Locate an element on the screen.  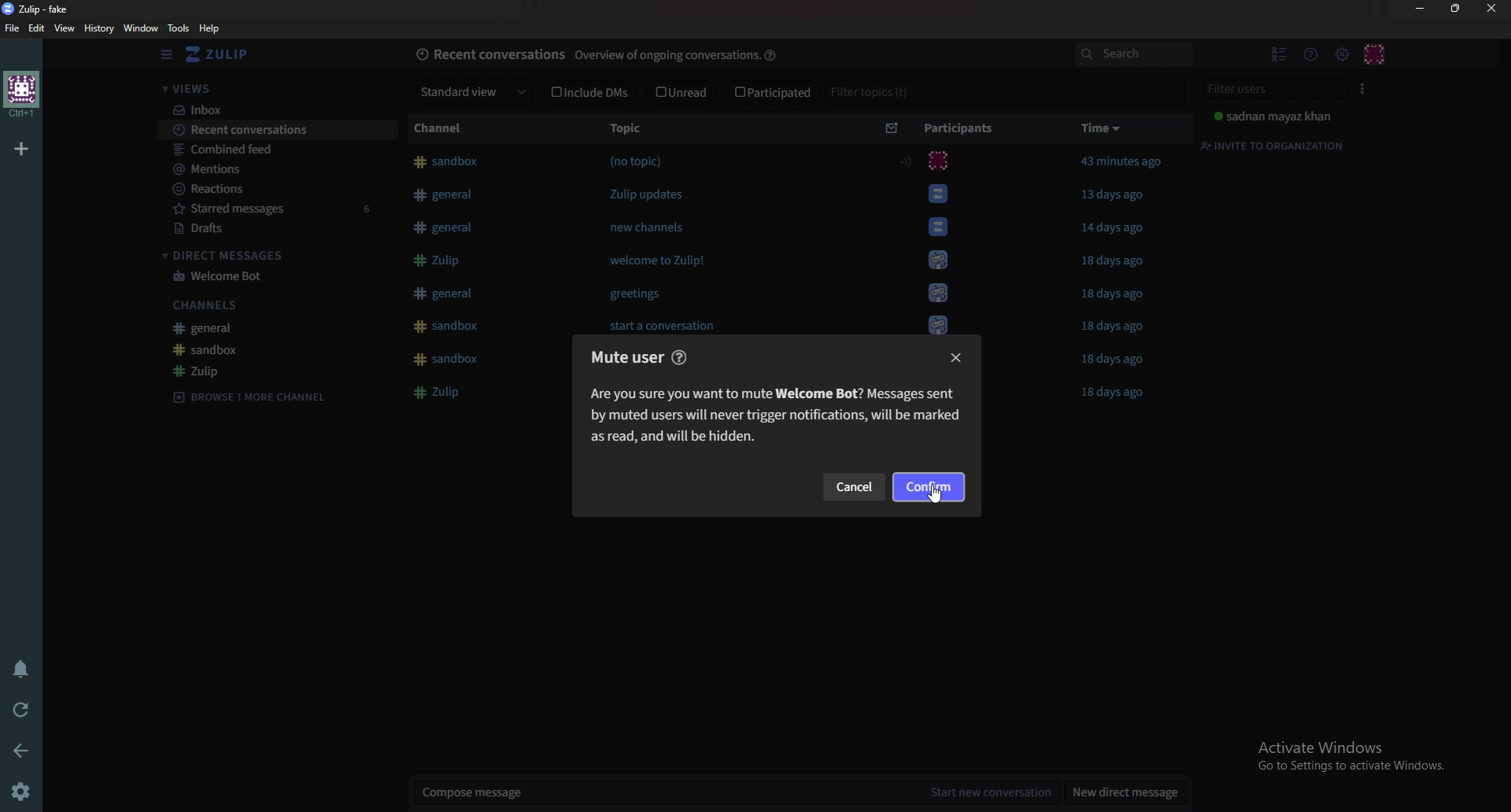
18 days ago is located at coordinates (1119, 297).